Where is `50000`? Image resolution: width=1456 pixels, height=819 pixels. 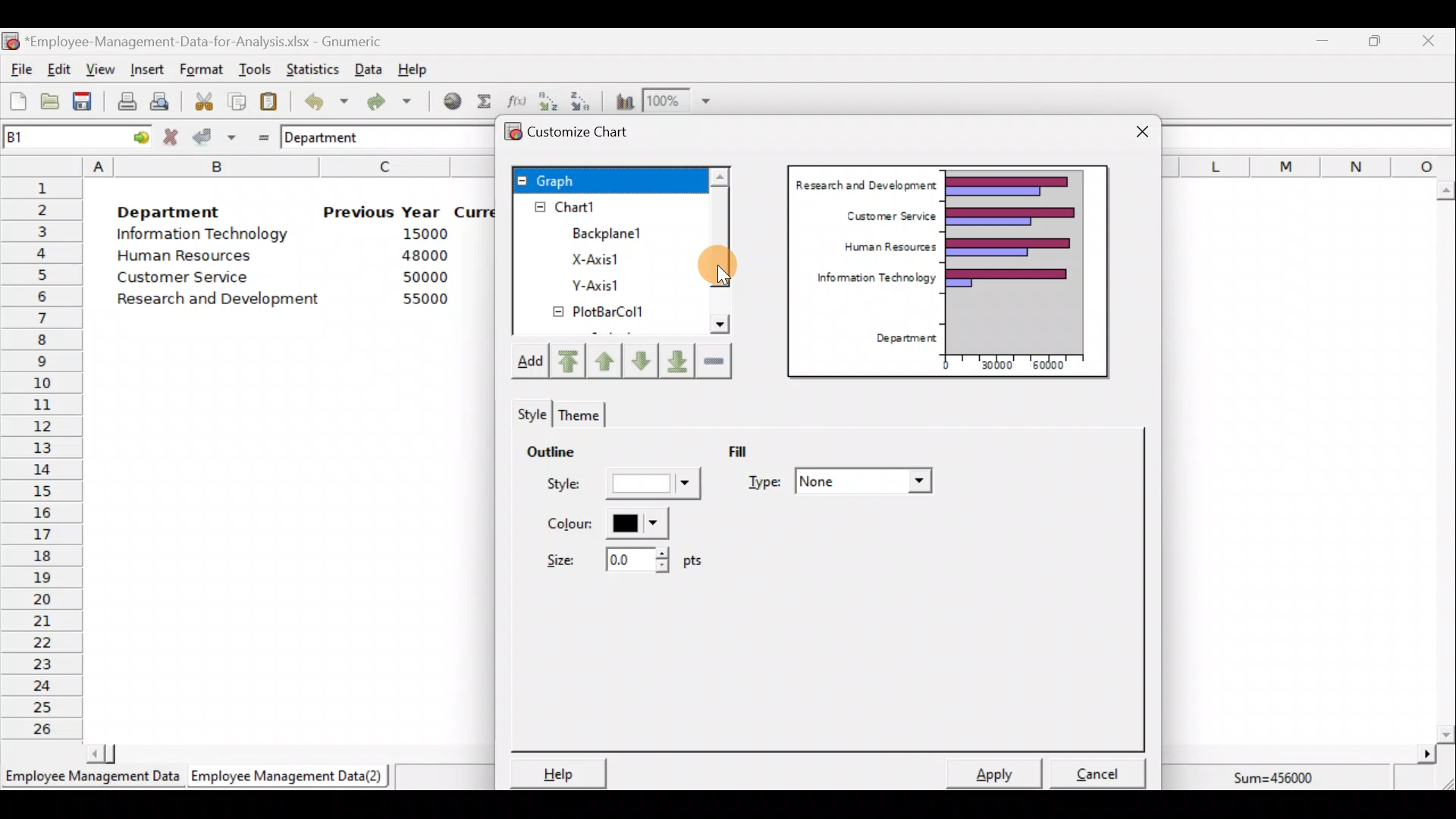
50000 is located at coordinates (429, 277).